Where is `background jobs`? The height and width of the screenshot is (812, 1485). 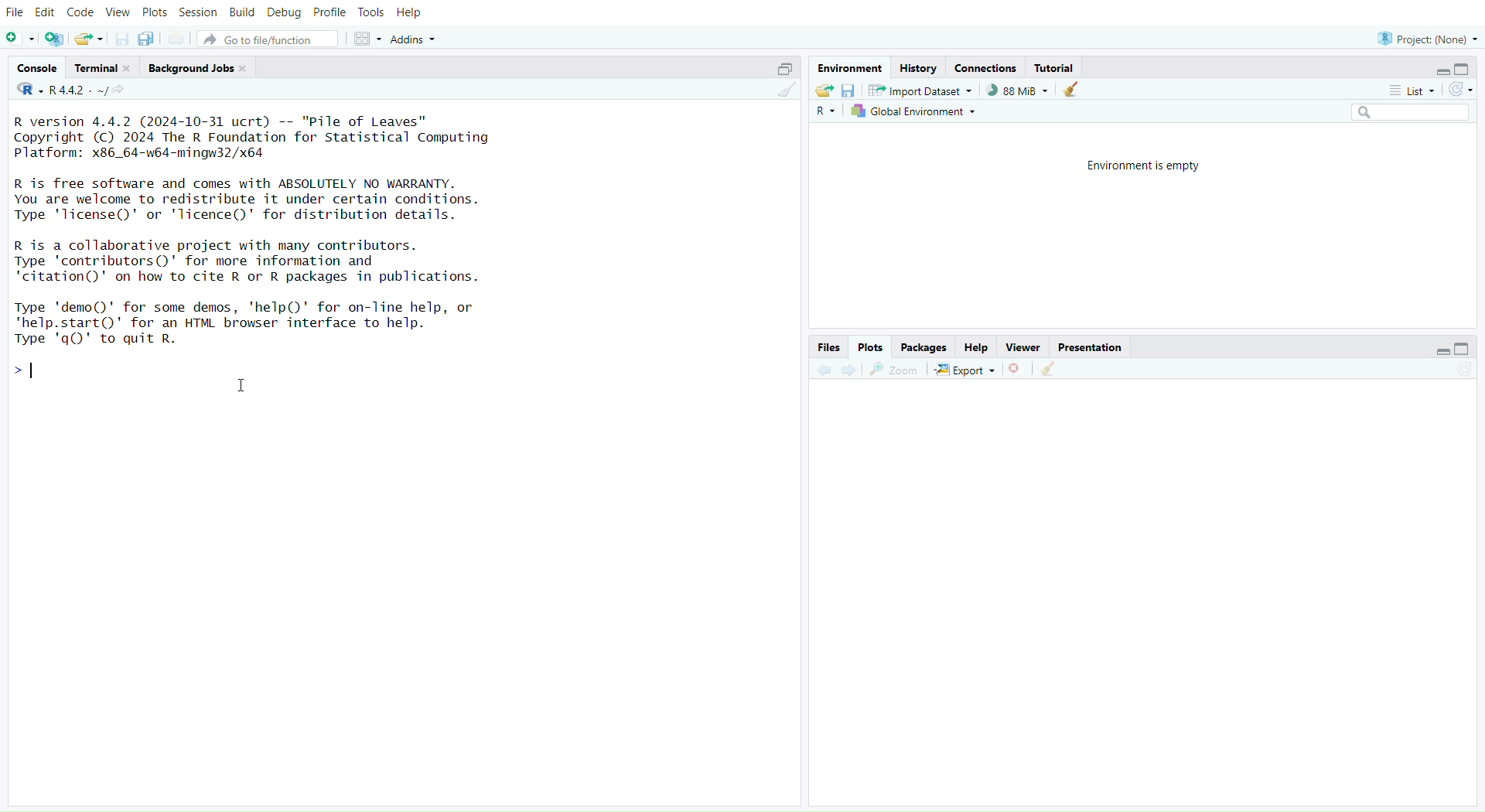
background jobs is located at coordinates (198, 67).